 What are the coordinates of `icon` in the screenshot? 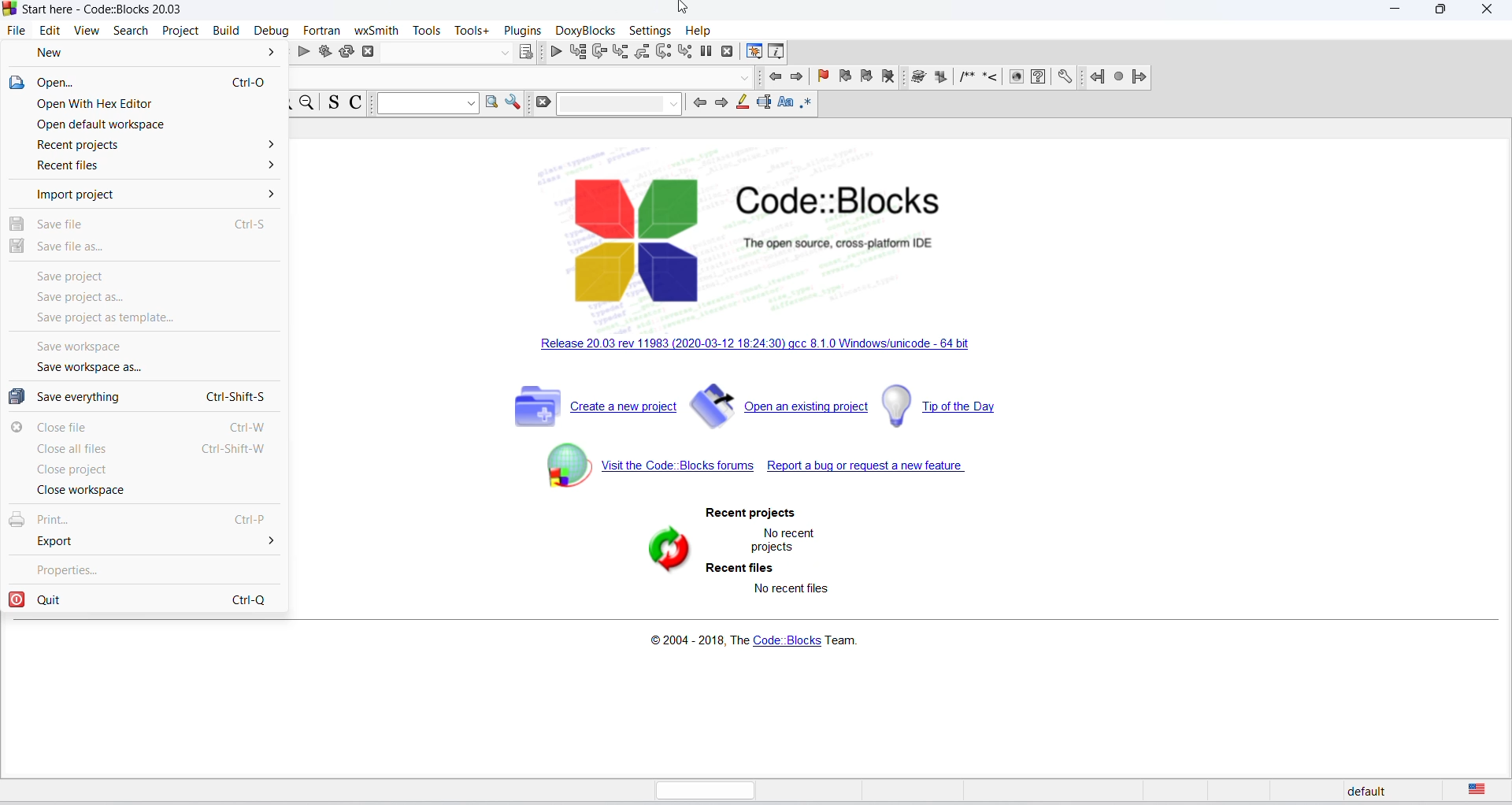 It's located at (990, 78).